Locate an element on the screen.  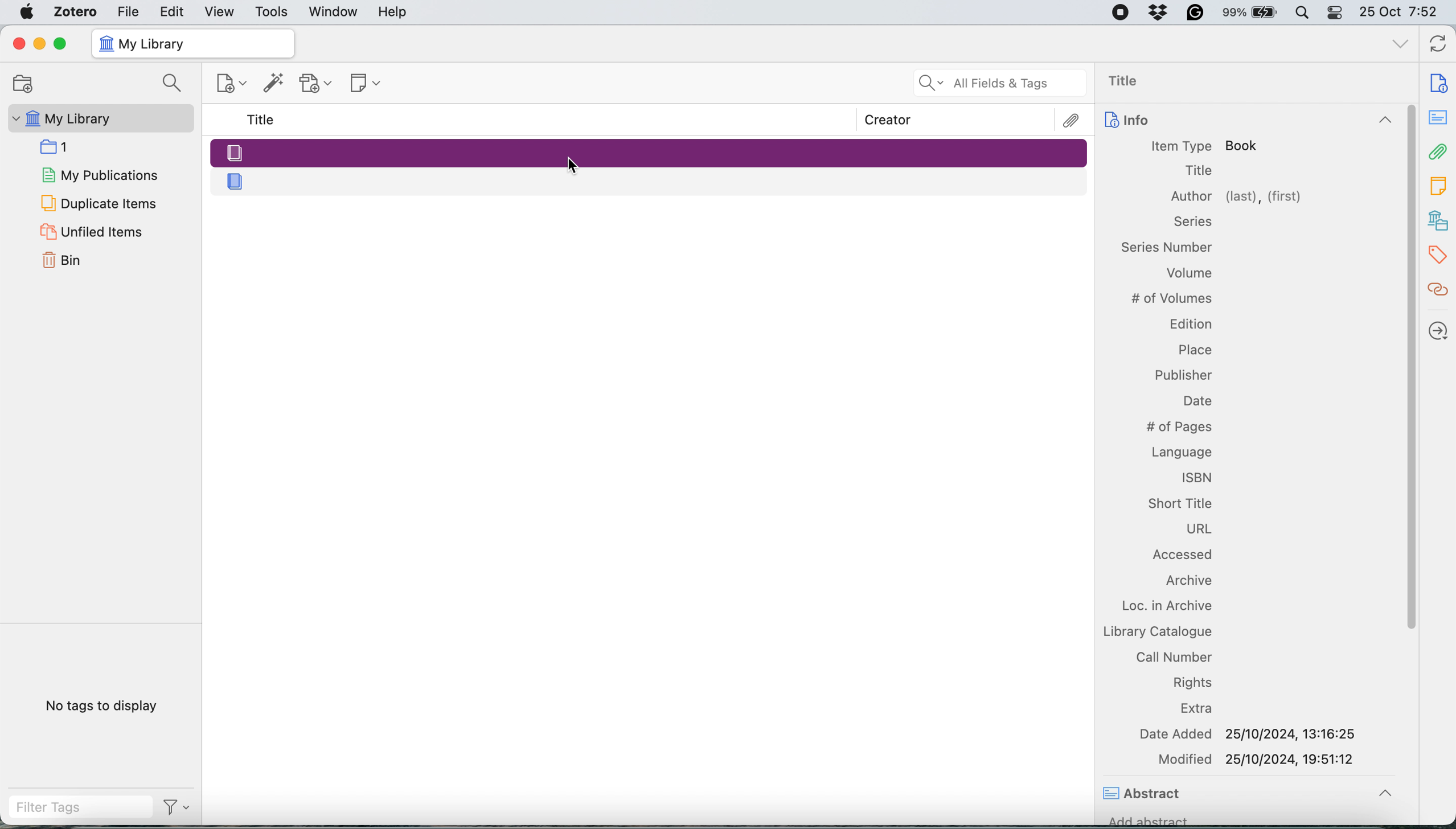
Filter Tags is located at coordinates (80, 807).